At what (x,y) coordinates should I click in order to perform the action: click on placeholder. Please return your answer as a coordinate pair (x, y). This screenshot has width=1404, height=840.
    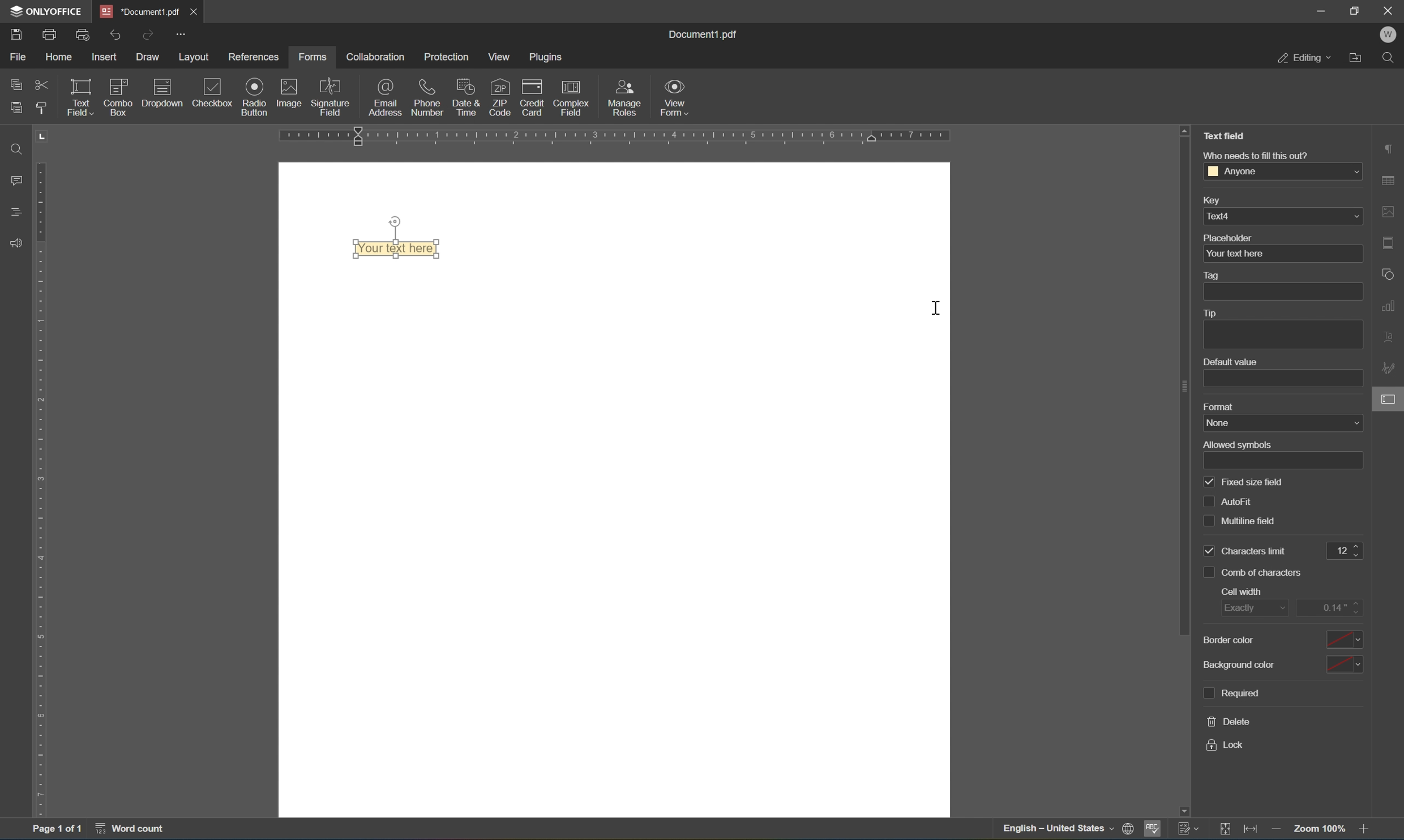
    Looking at the image, I should click on (1226, 237).